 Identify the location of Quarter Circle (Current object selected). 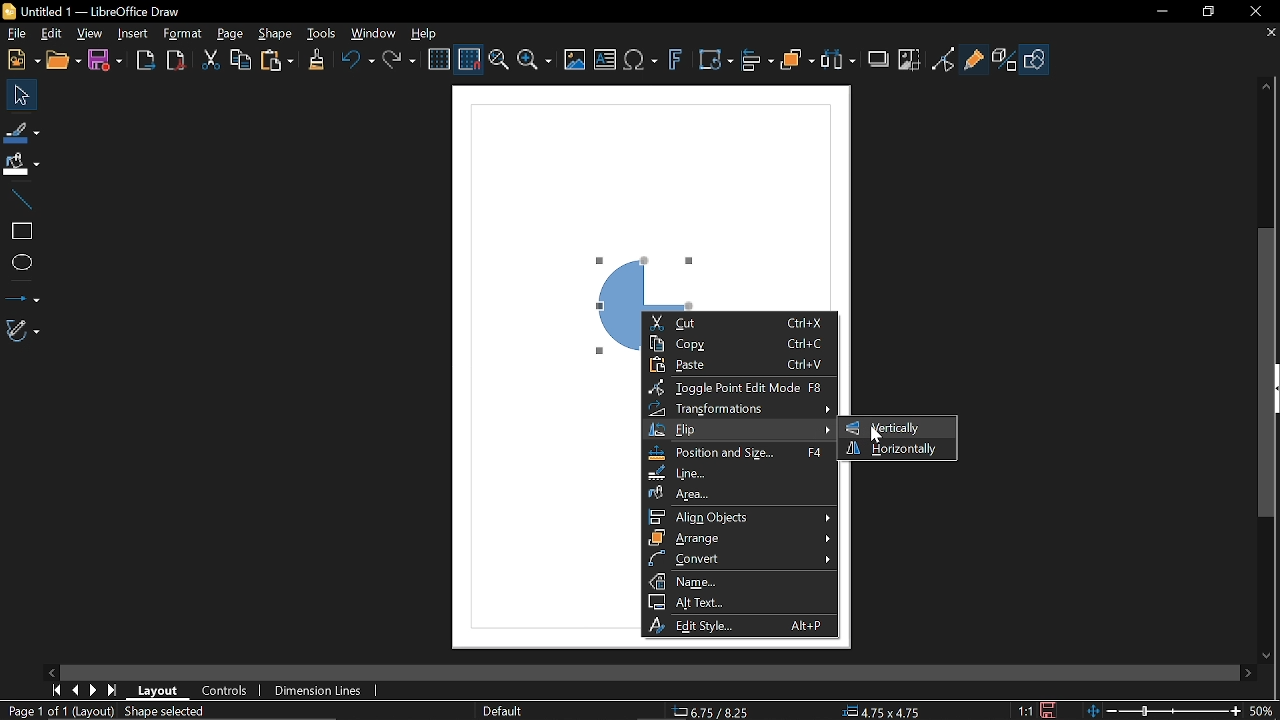
(642, 266).